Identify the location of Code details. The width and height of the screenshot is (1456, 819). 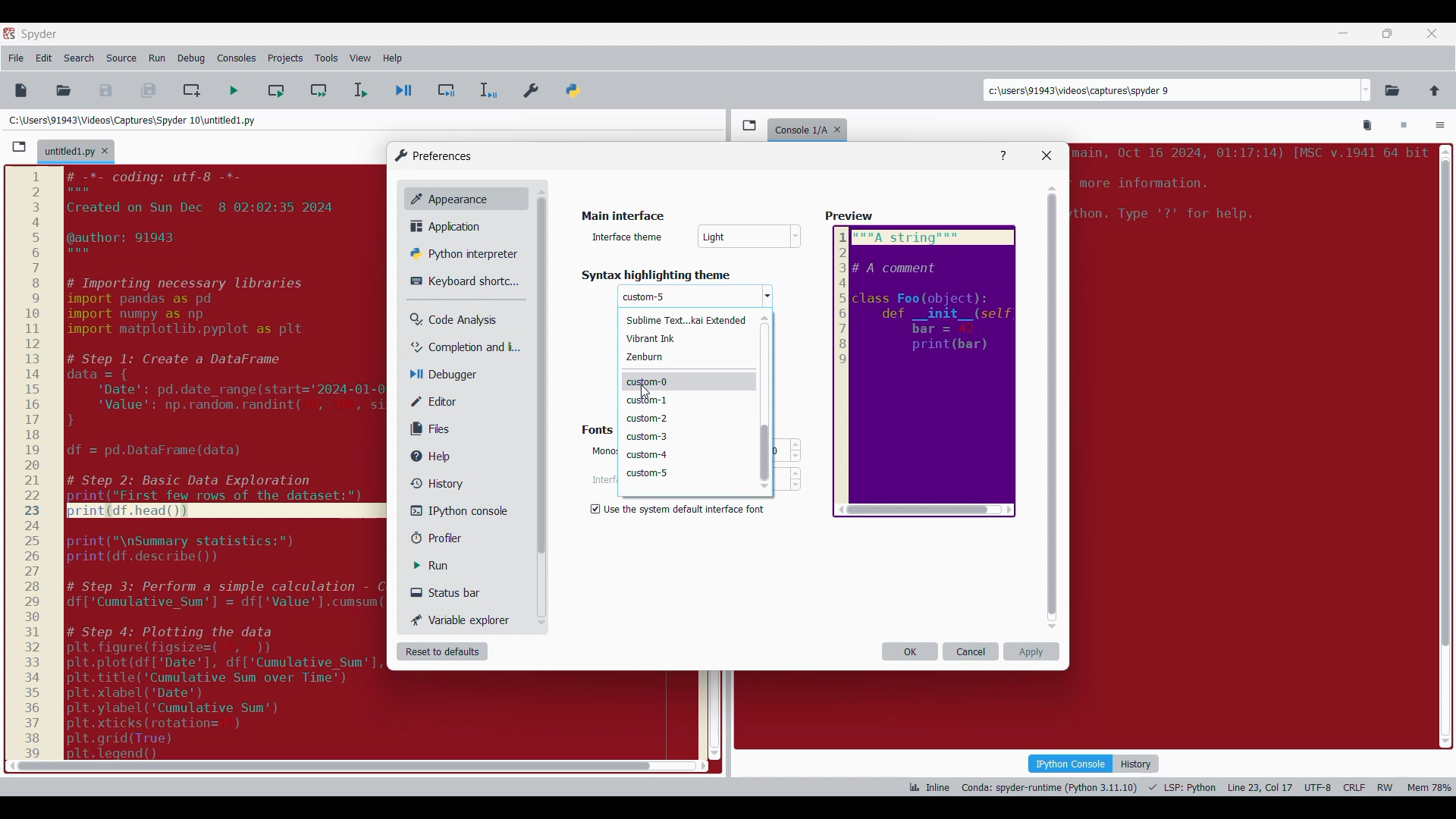
(1178, 787).